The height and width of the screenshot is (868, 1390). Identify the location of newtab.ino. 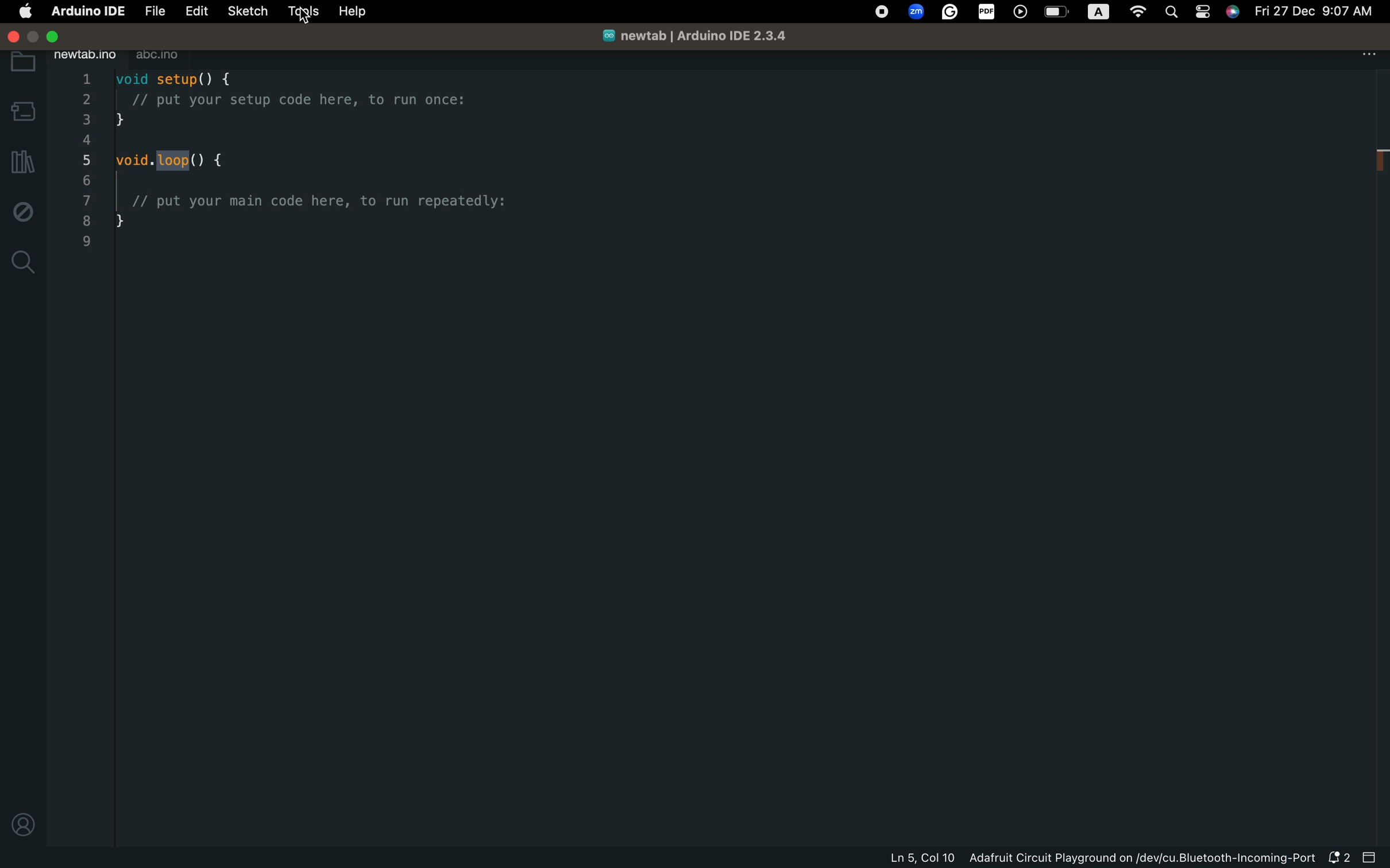
(84, 57).